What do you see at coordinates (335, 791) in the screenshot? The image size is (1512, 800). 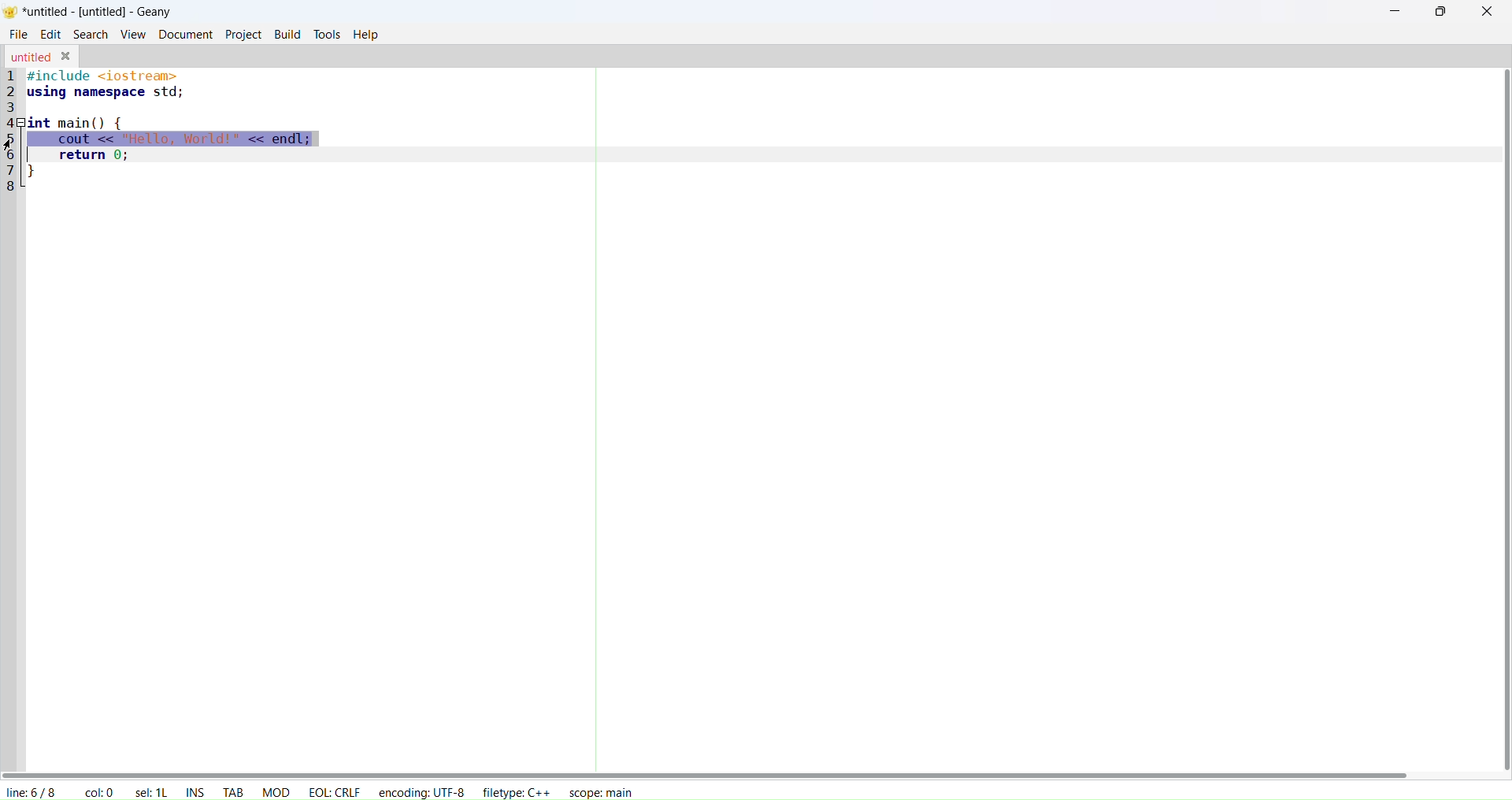 I see `eol: crlf` at bounding box center [335, 791].